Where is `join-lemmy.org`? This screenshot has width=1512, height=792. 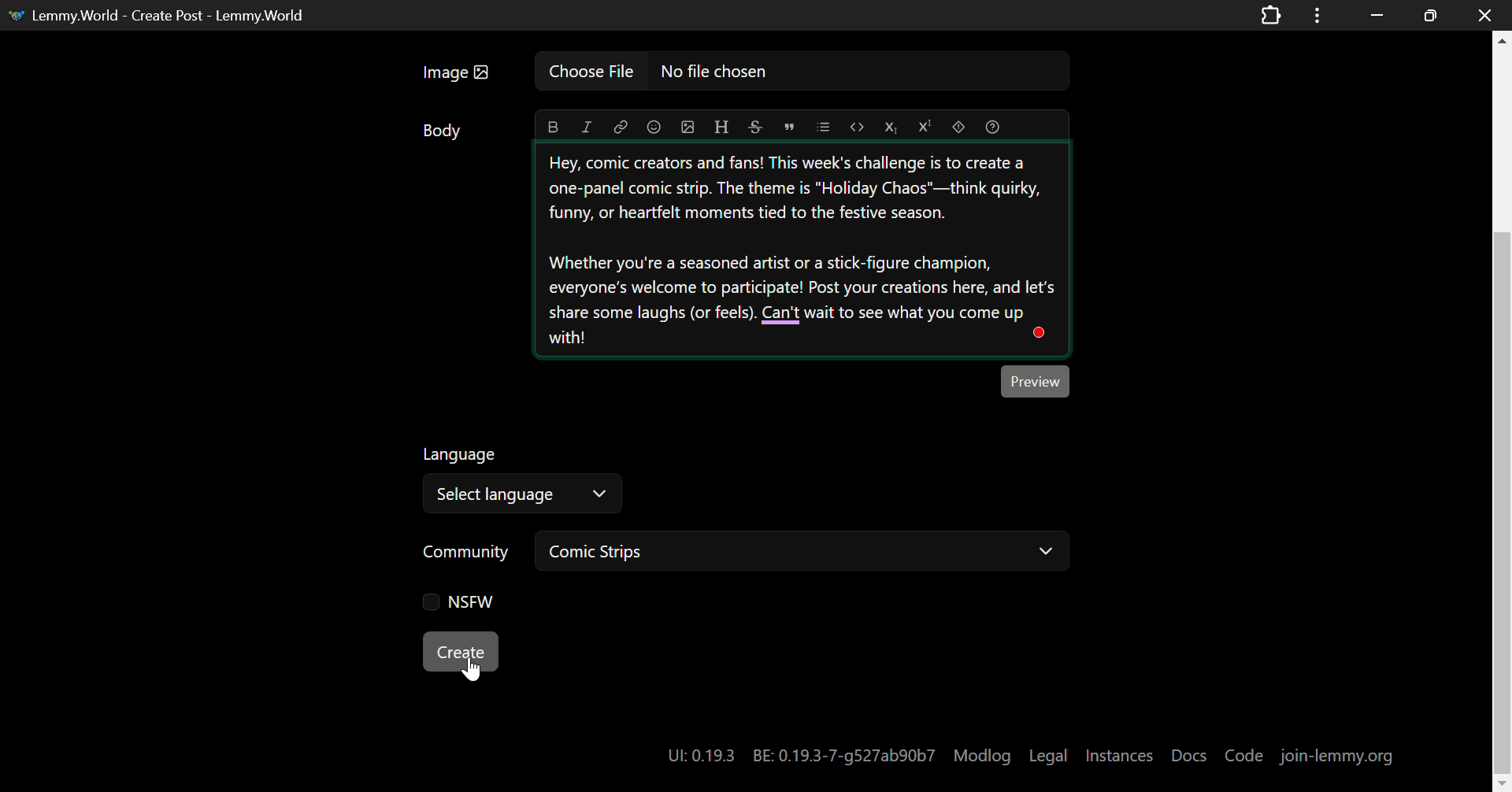
join-lemmy.org is located at coordinates (1339, 755).